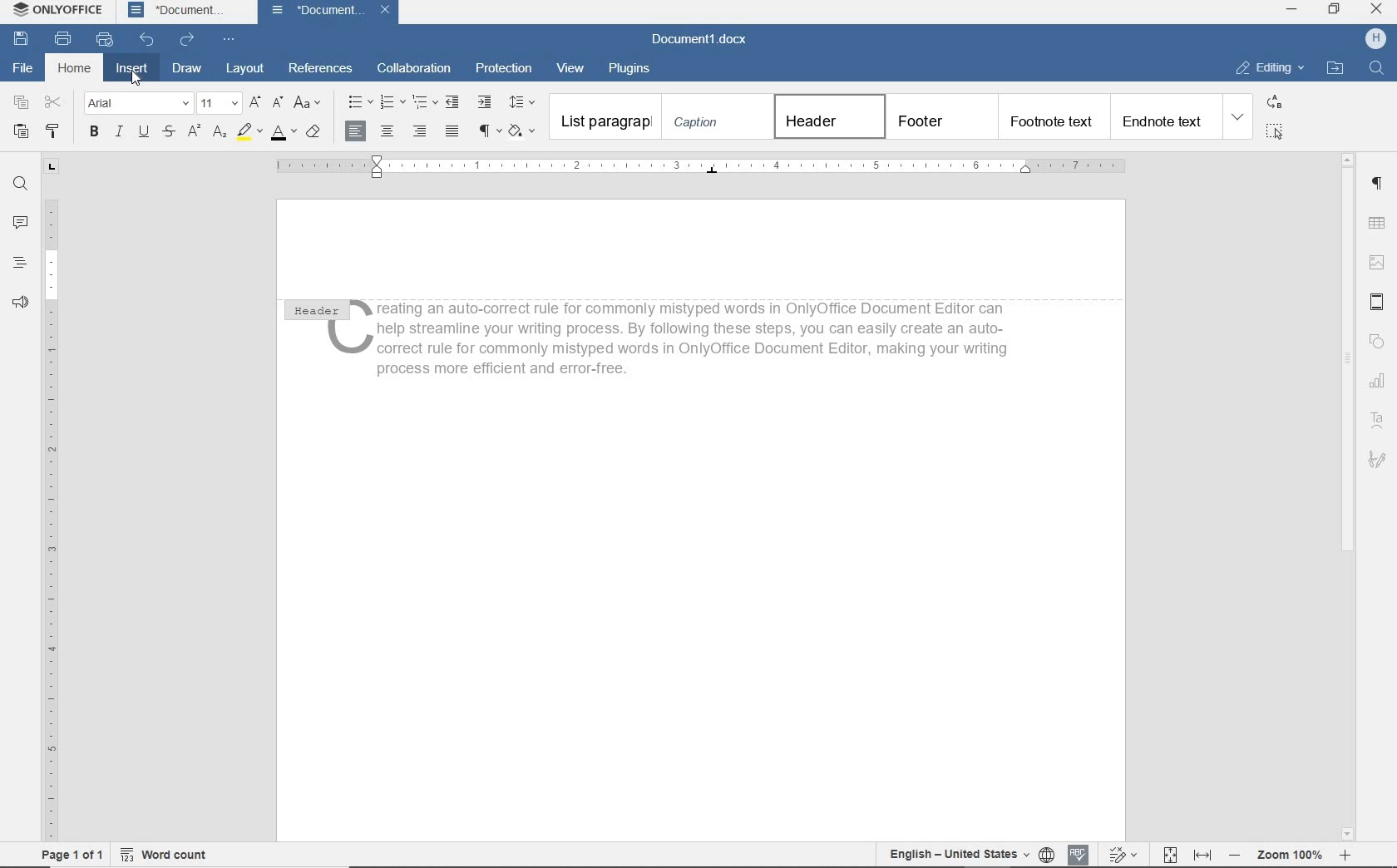 This screenshot has height=868, width=1397. I want to click on PLUGINS, so click(629, 69).